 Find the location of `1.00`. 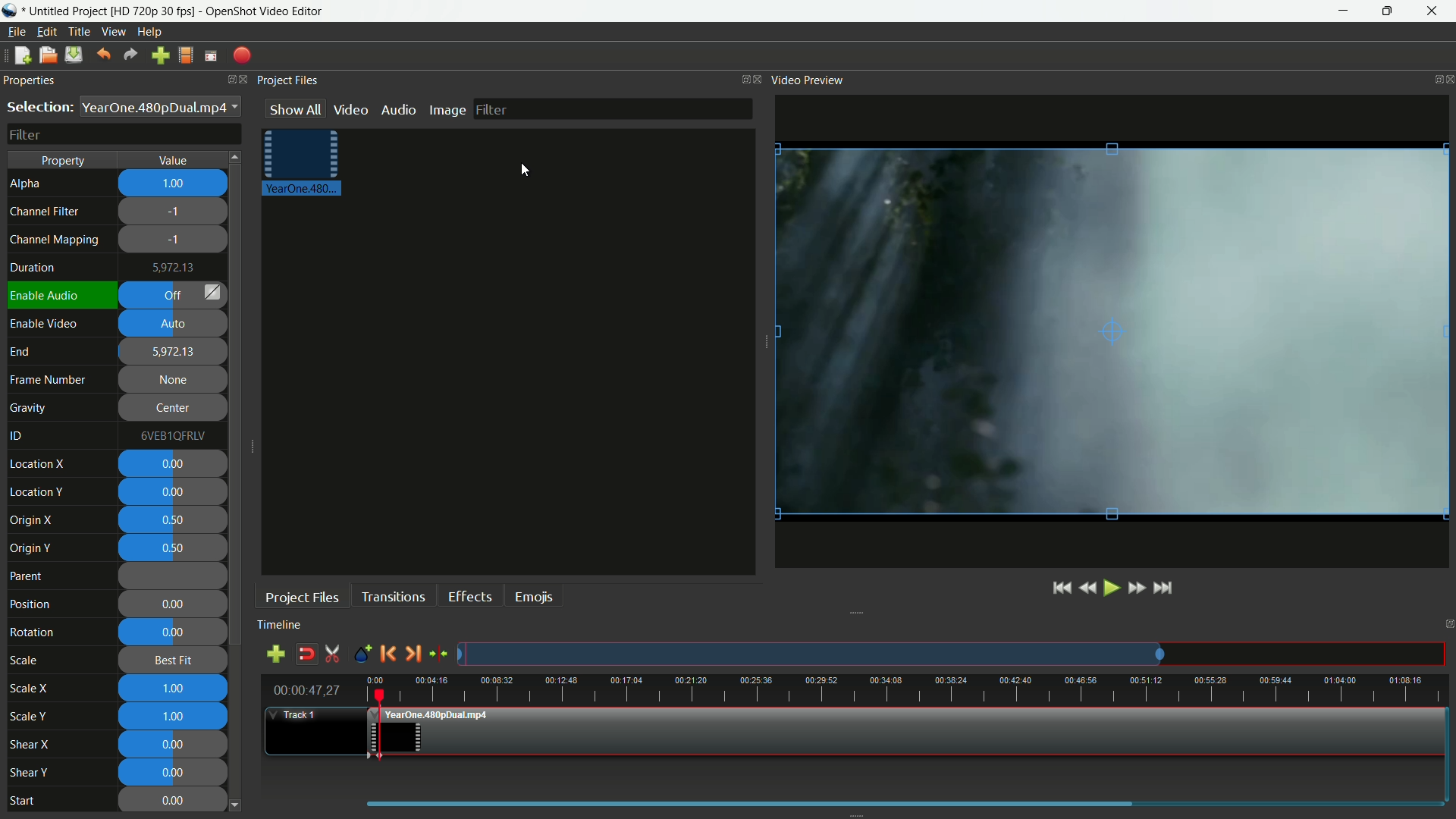

1.00 is located at coordinates (175, 185).